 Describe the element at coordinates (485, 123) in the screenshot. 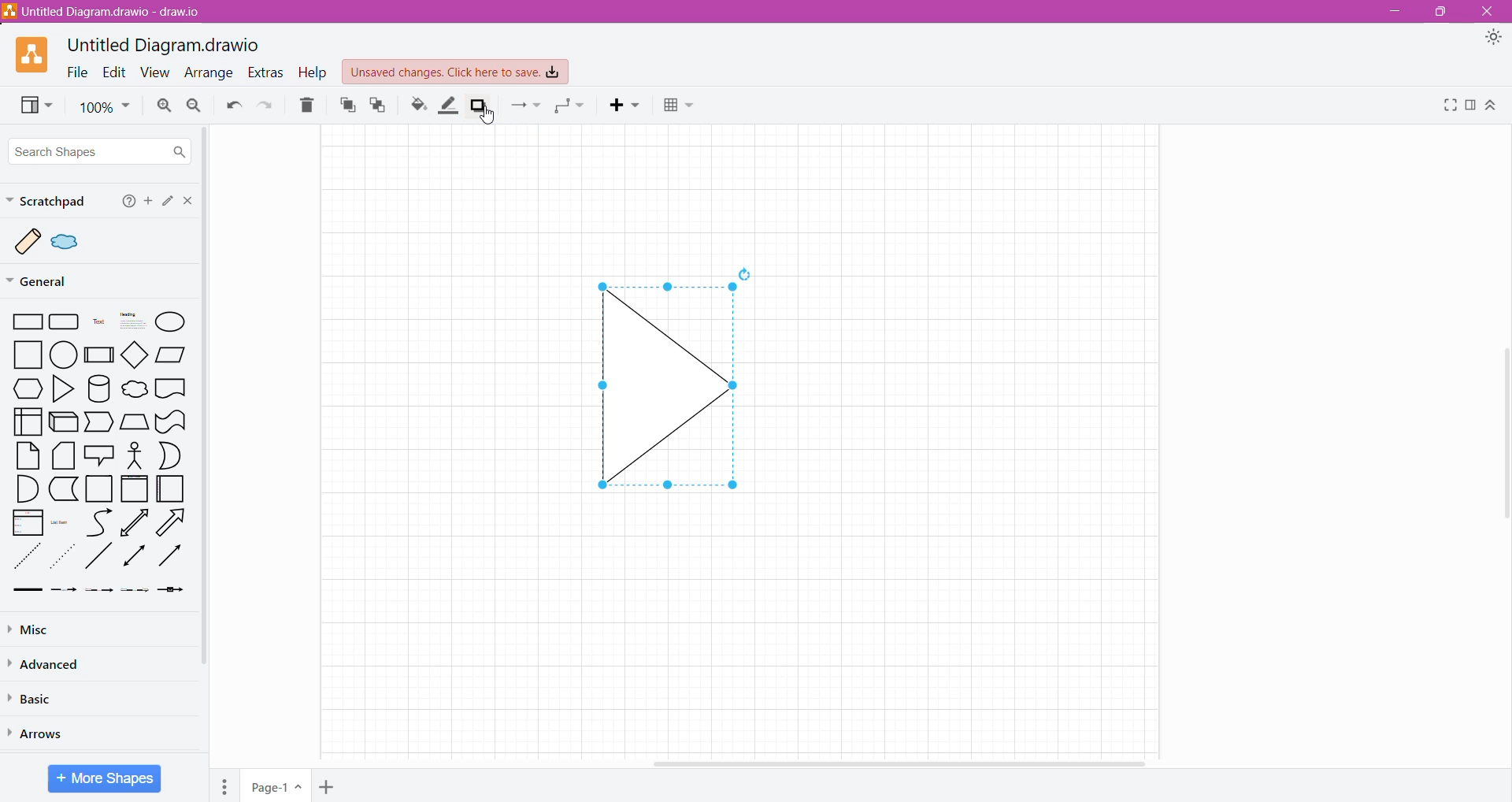

I see `Cursor on shadow` at that location.